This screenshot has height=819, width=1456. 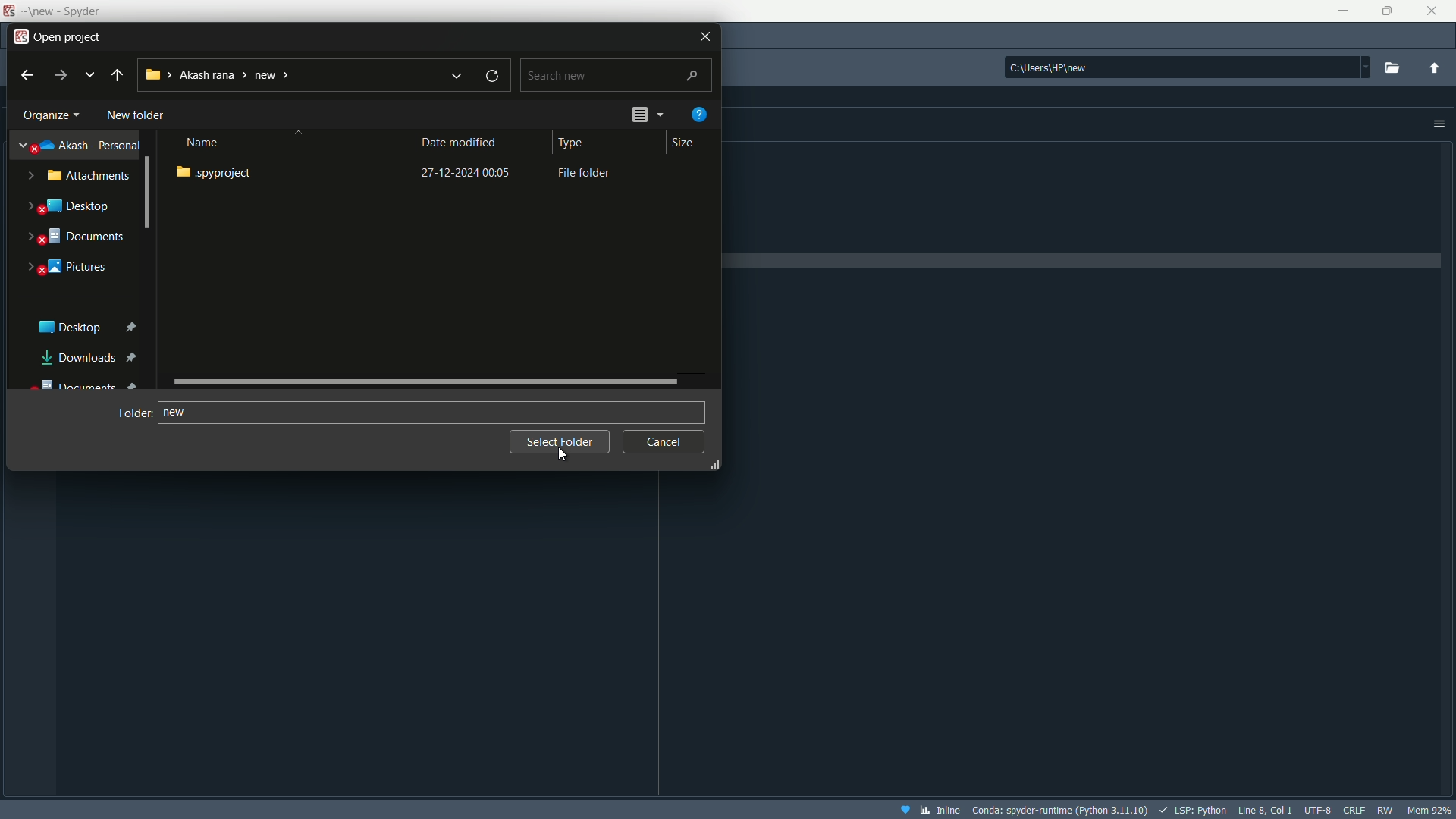 I want to click on desktop, so click(x=70, y=208).